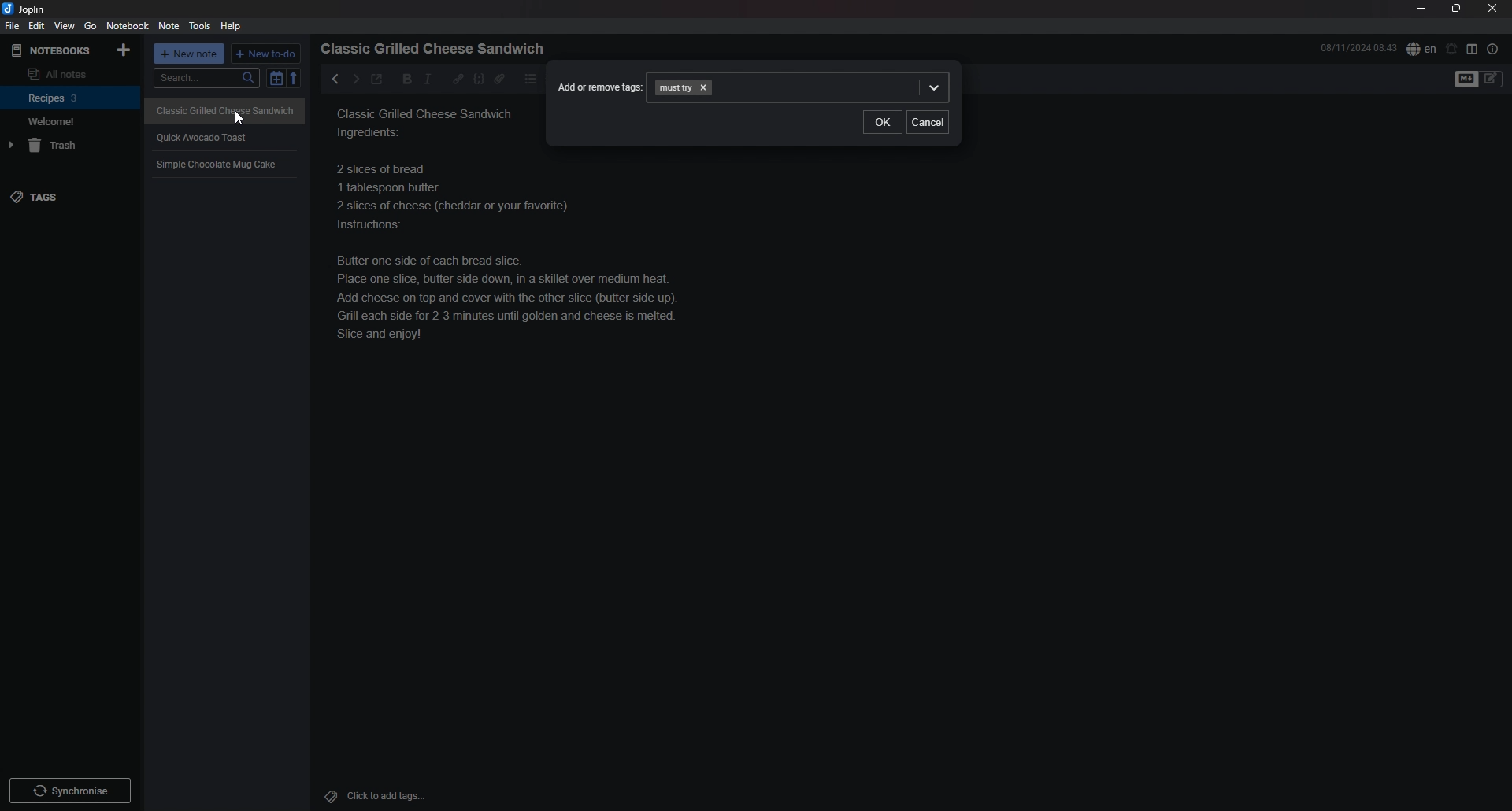 Image resolution: width=1512 pixels, height=811 pixels. What do you see at coordinates (335, 79) in the screenshot?
I see `previous` at bounding box center [335, 79].